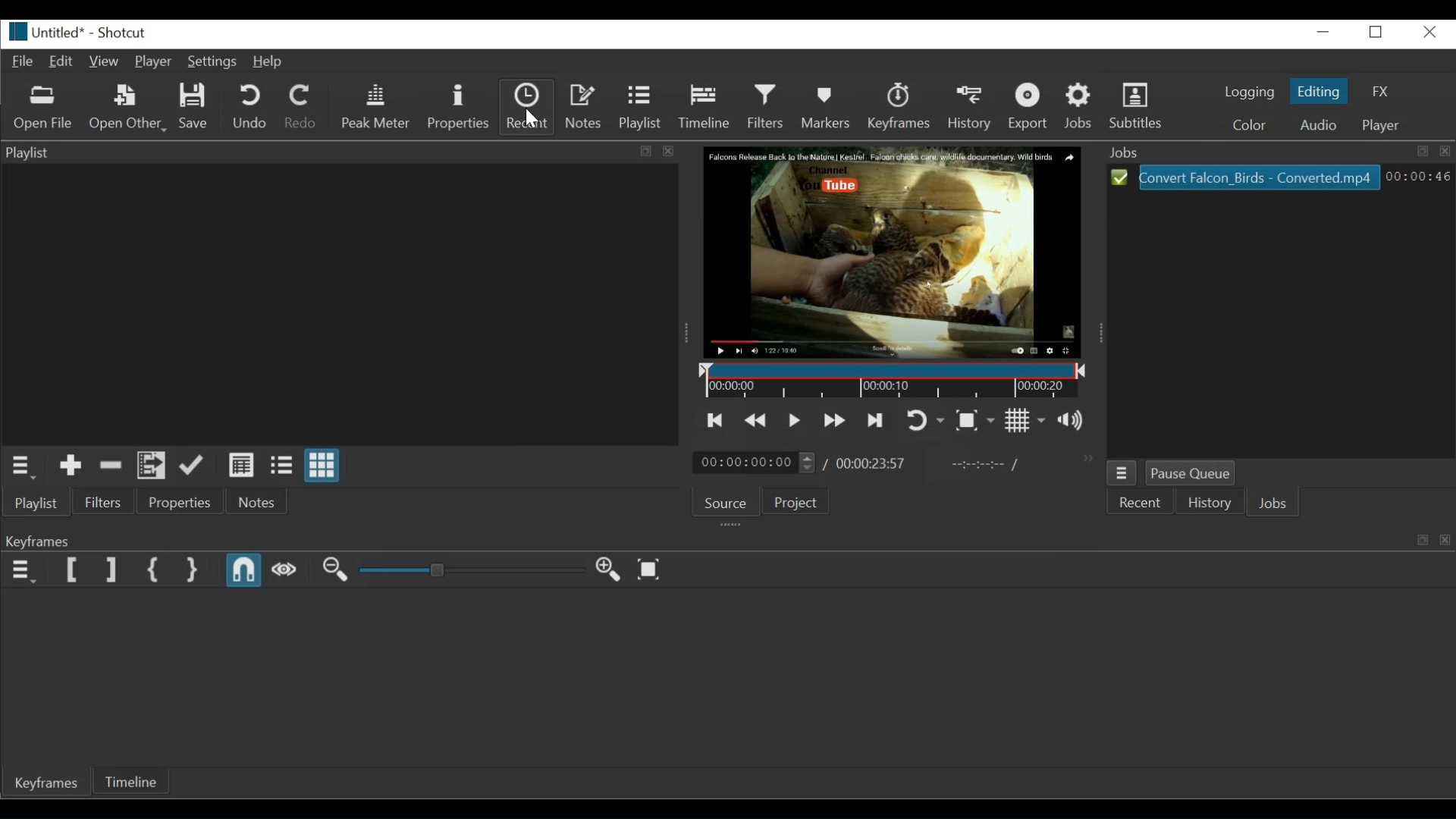 The height and width of the screenshot is (819, 1456). Describe the element at coordinates (792, 420) in the screenshot. I see `Toggle play or pause` at that location.